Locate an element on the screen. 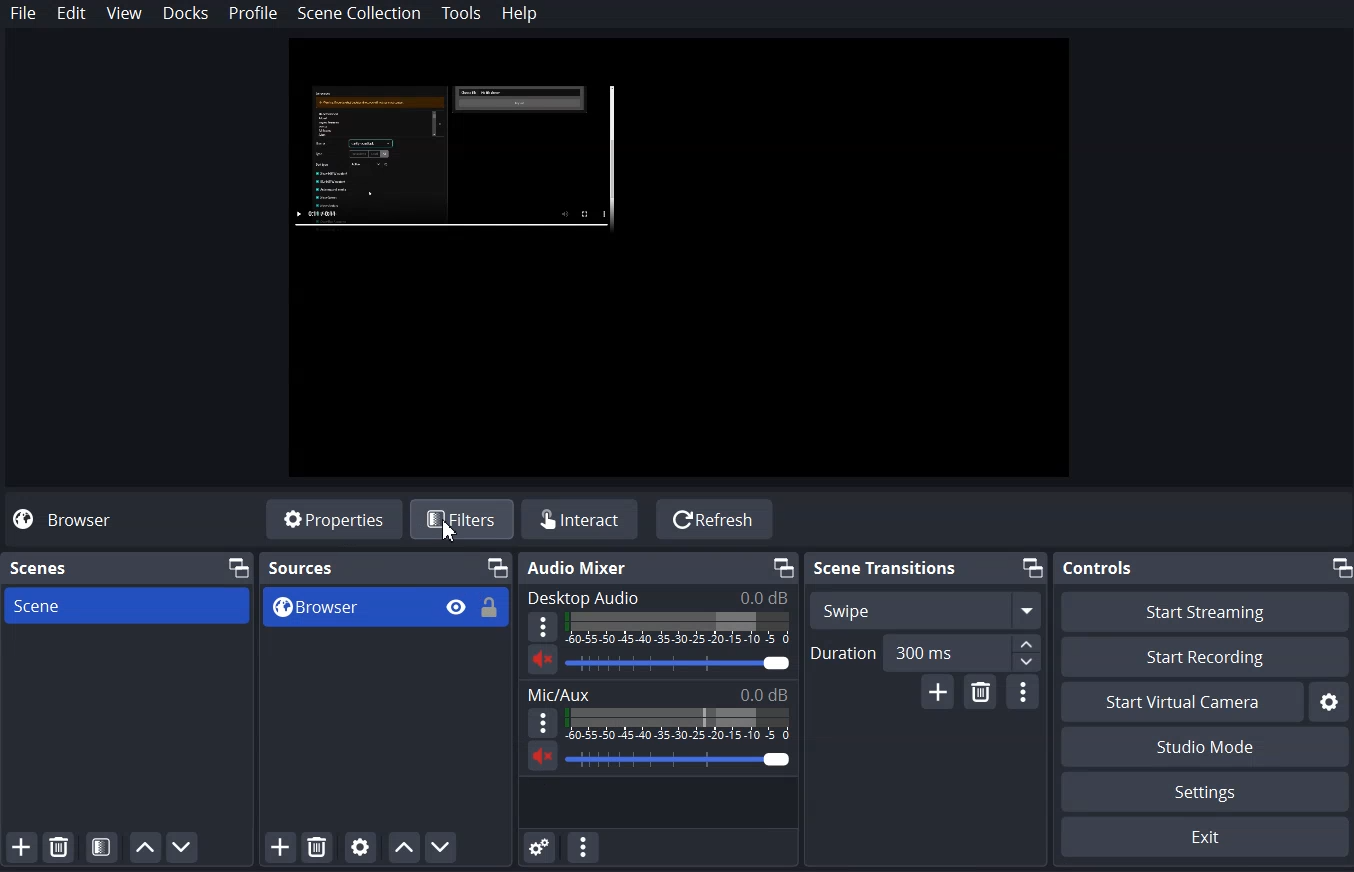 The height and width of the screenshot is (872, 1354). Settings is located at coordinates (1330, 702).